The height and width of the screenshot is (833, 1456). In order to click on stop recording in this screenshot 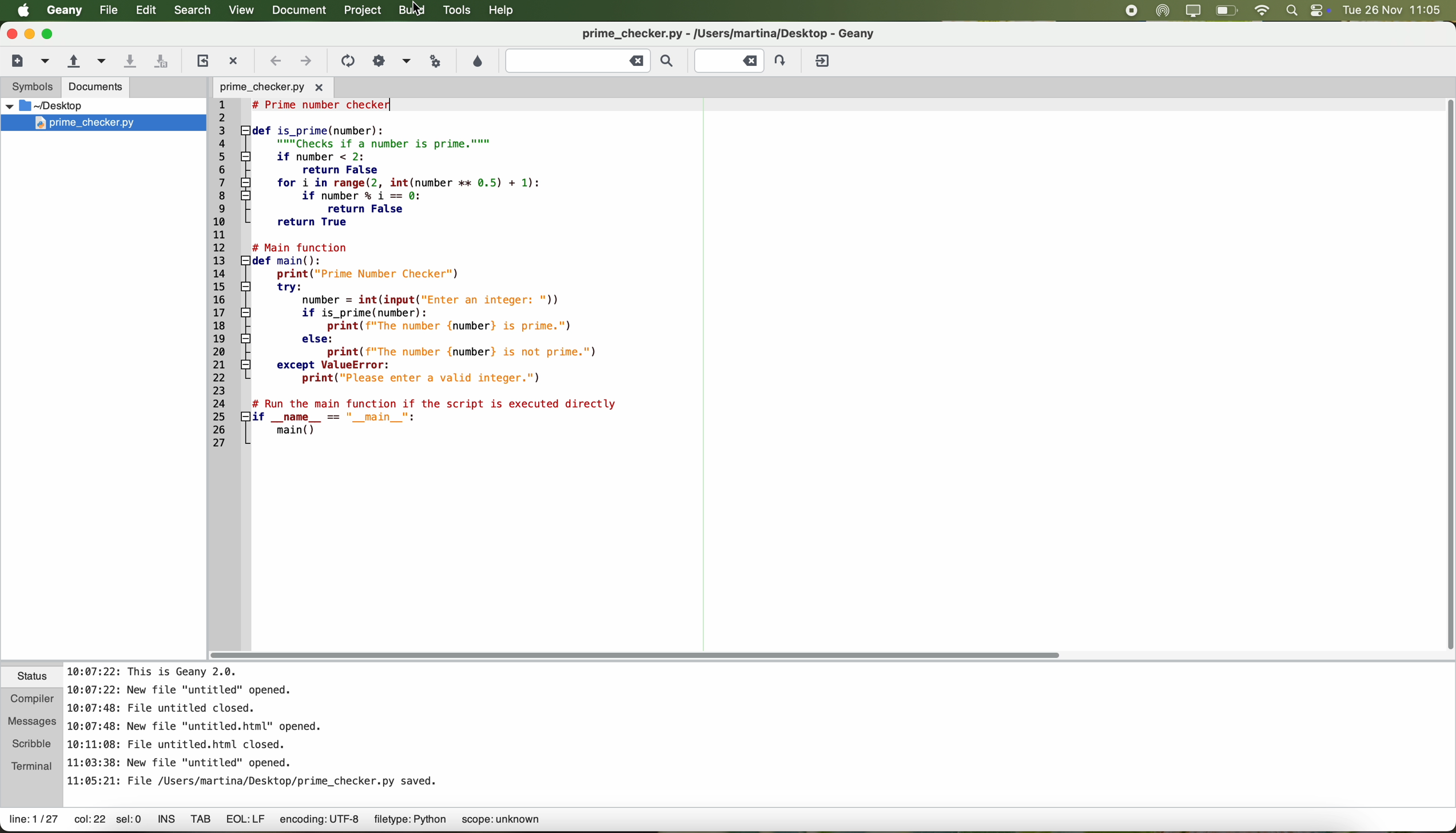, I will do `click(1131, 10)`.